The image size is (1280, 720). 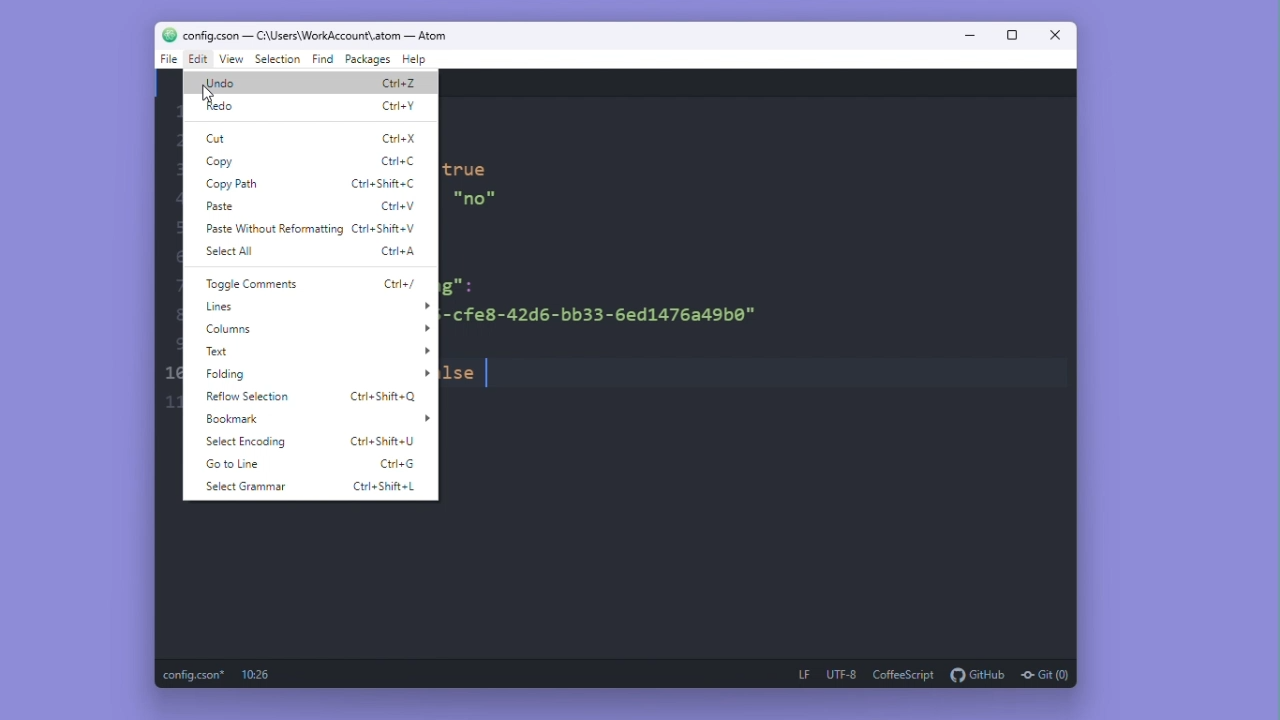 What do you see at coordinates (195, 675) in the screenshot?
I see `config.cson` at bounding box center [195, 675].